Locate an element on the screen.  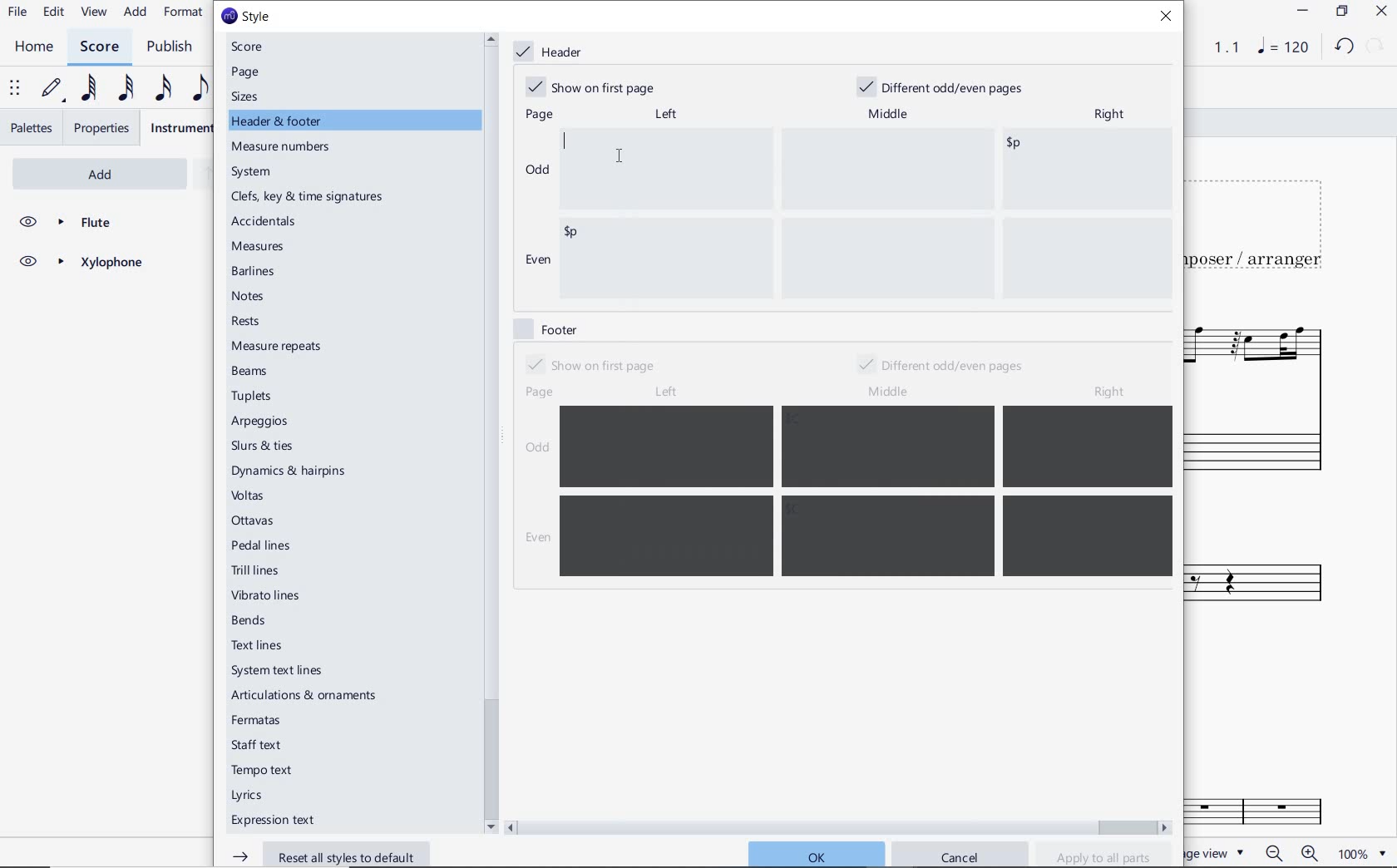
odd is located at coordinates (537, 169).